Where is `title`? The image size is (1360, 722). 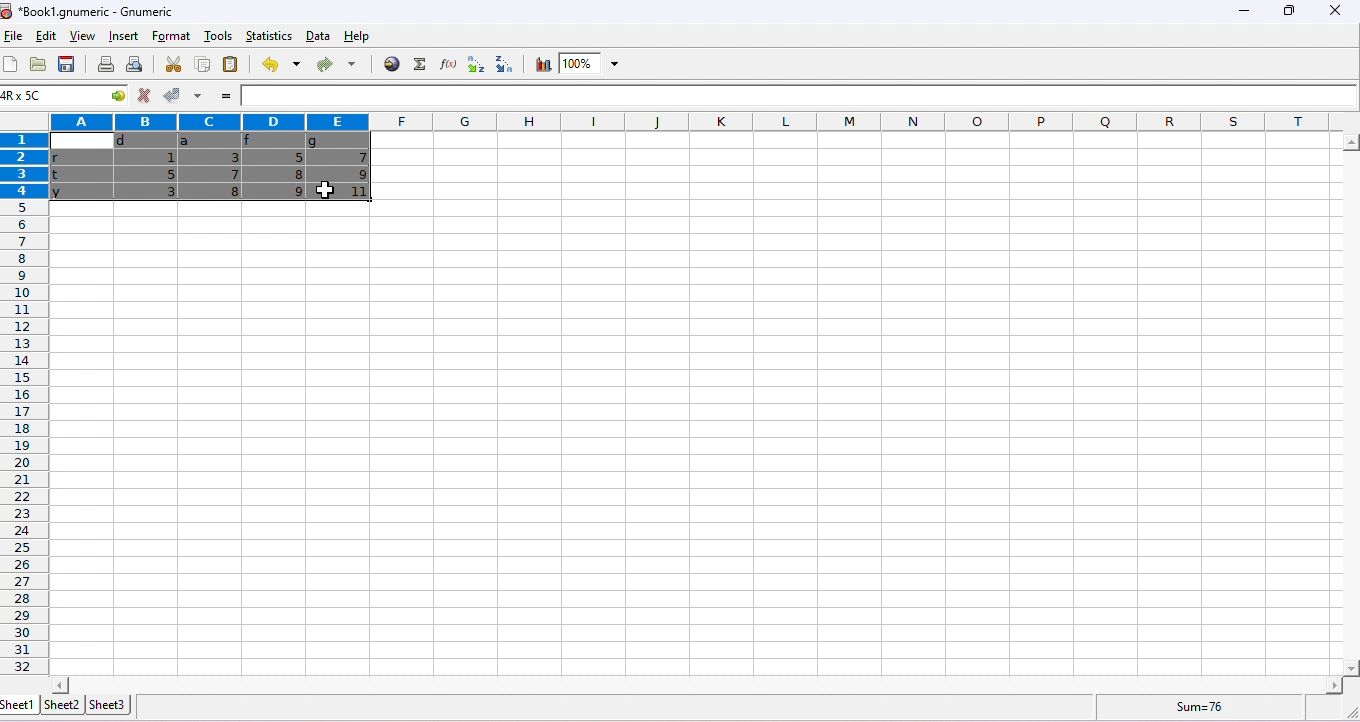
title is located at coordinates (90, 11).